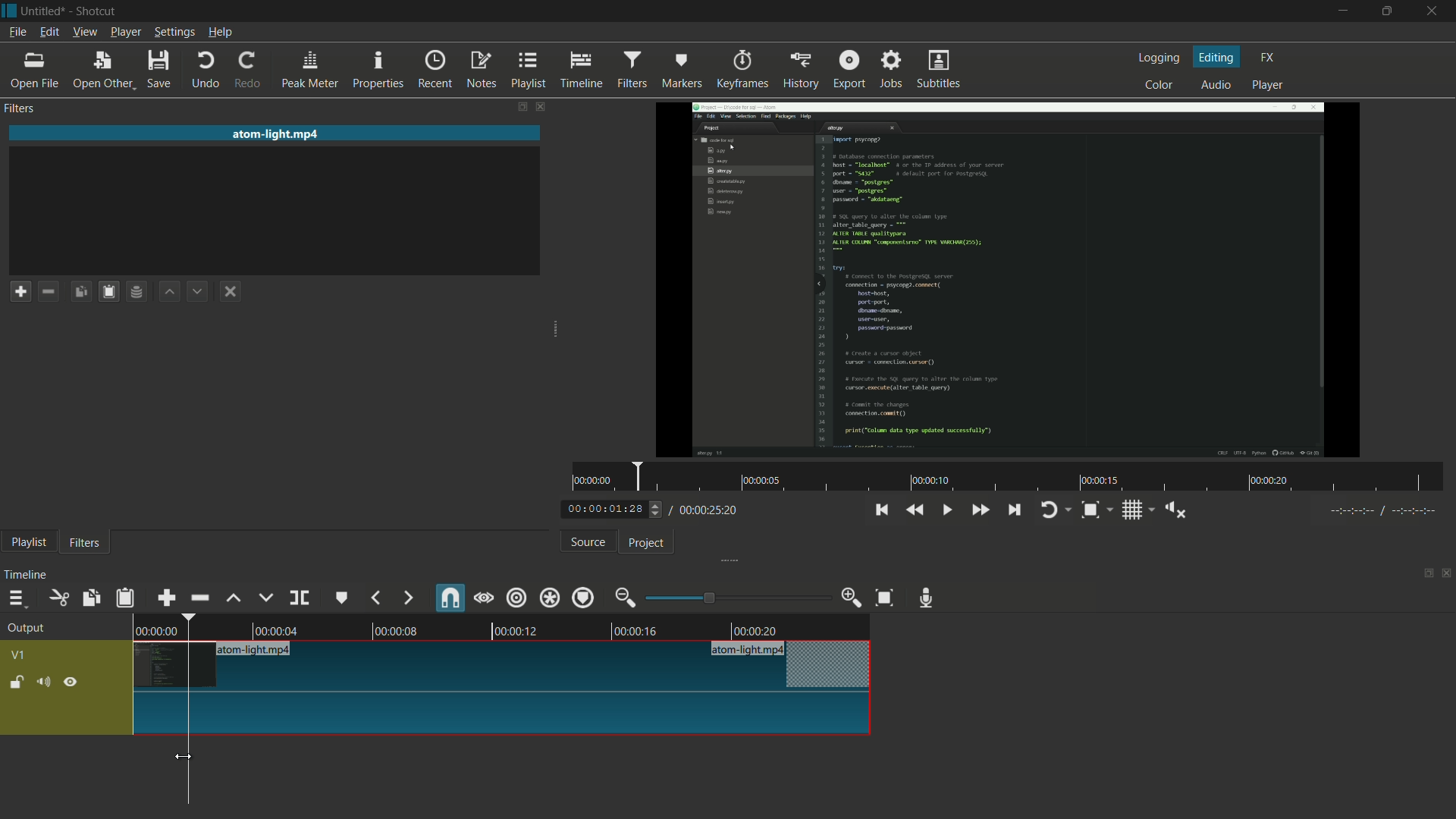 The image size is (1456, 819). Describe the element at coordinates (1379, 513) in the screenshot. I see `` at that location.